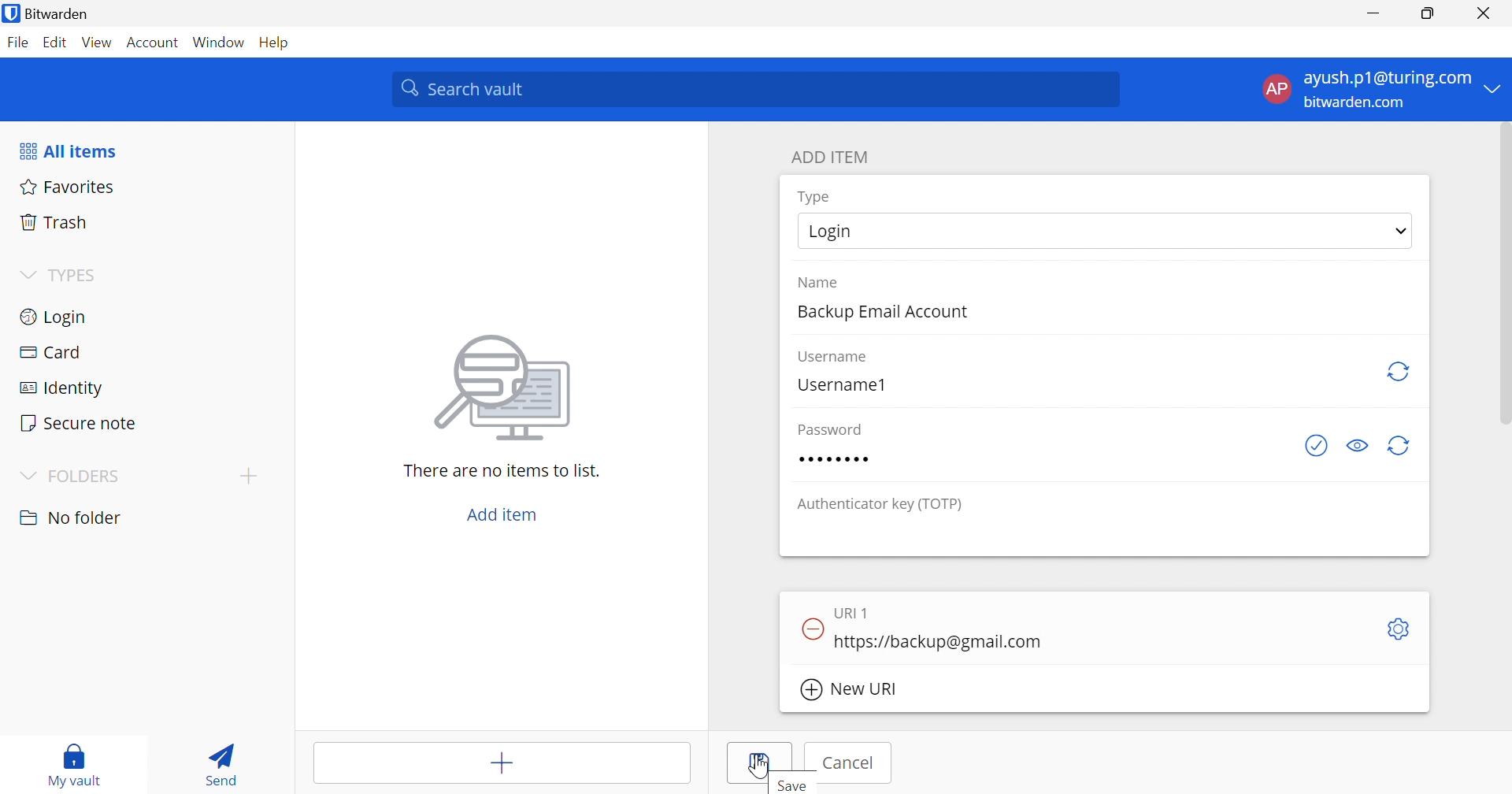 The width and height of the screenshot is (1512, 794). I want to click on image, so click(503, 391).